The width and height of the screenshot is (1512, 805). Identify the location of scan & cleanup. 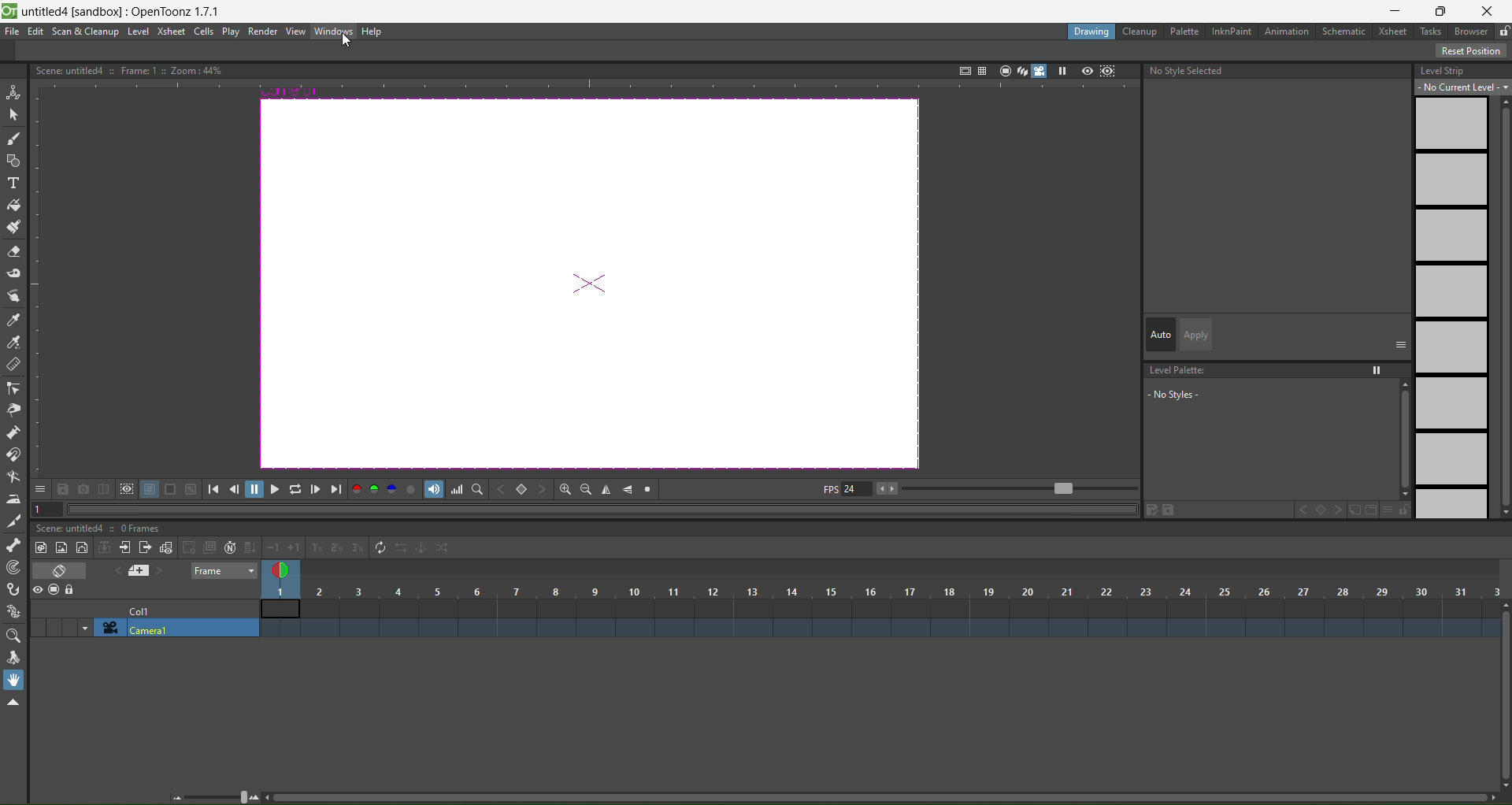
(86, 32).